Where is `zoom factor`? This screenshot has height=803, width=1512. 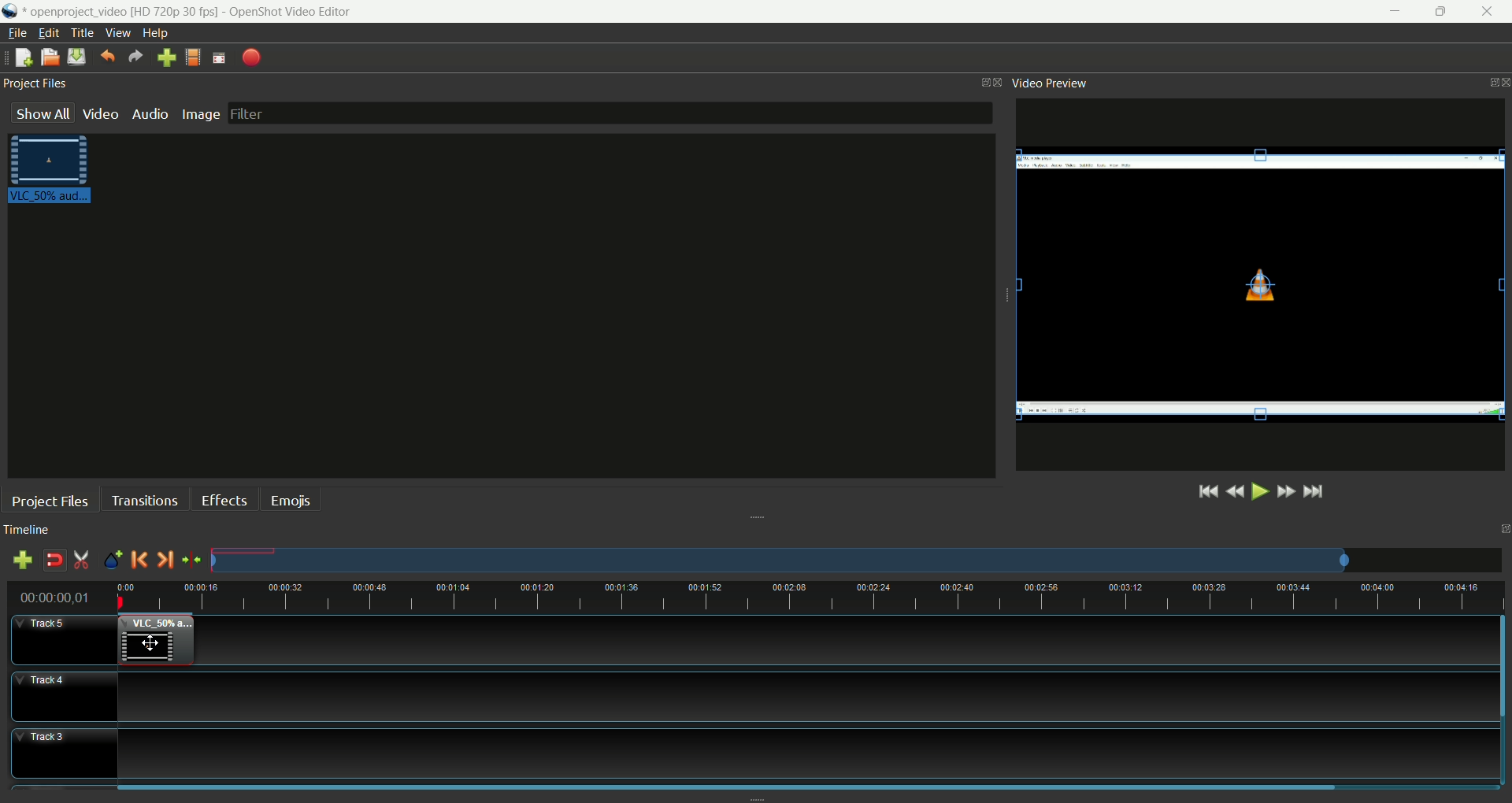
zoom factor is located at coordinates (857, 561).